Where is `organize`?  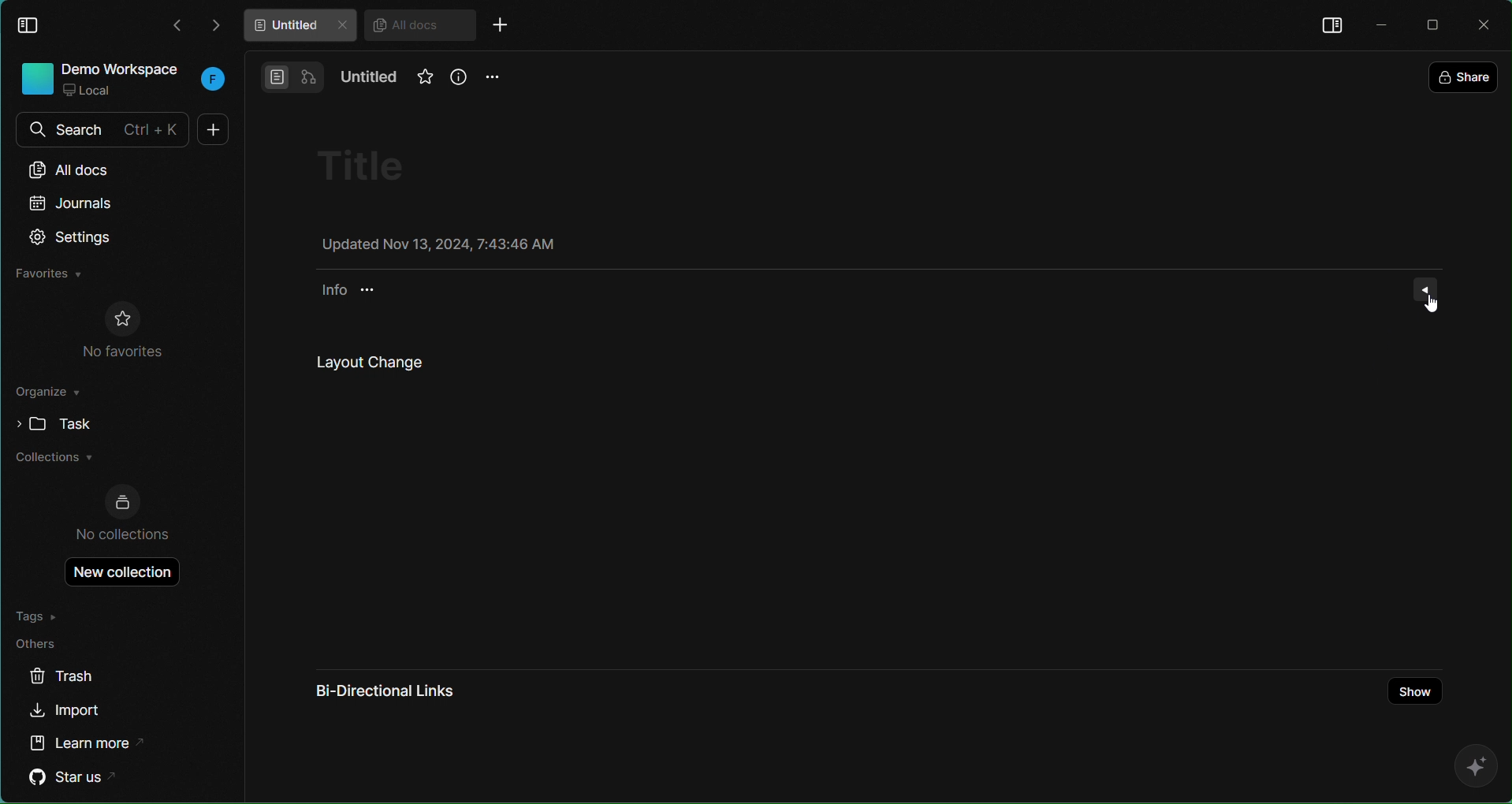
organize is located at coordinates (49, 395).